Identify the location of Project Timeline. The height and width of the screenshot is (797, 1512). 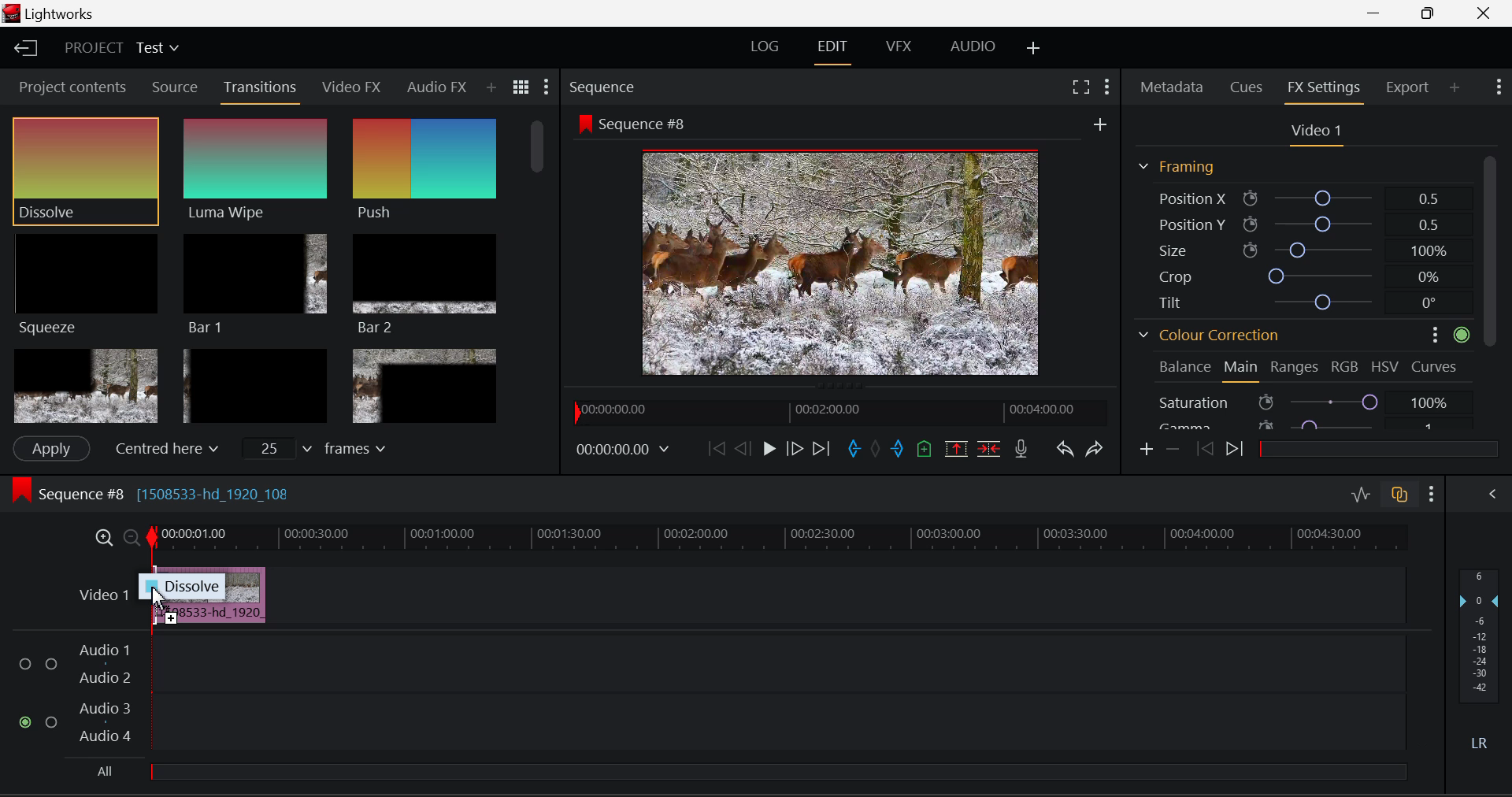
(775, 539).